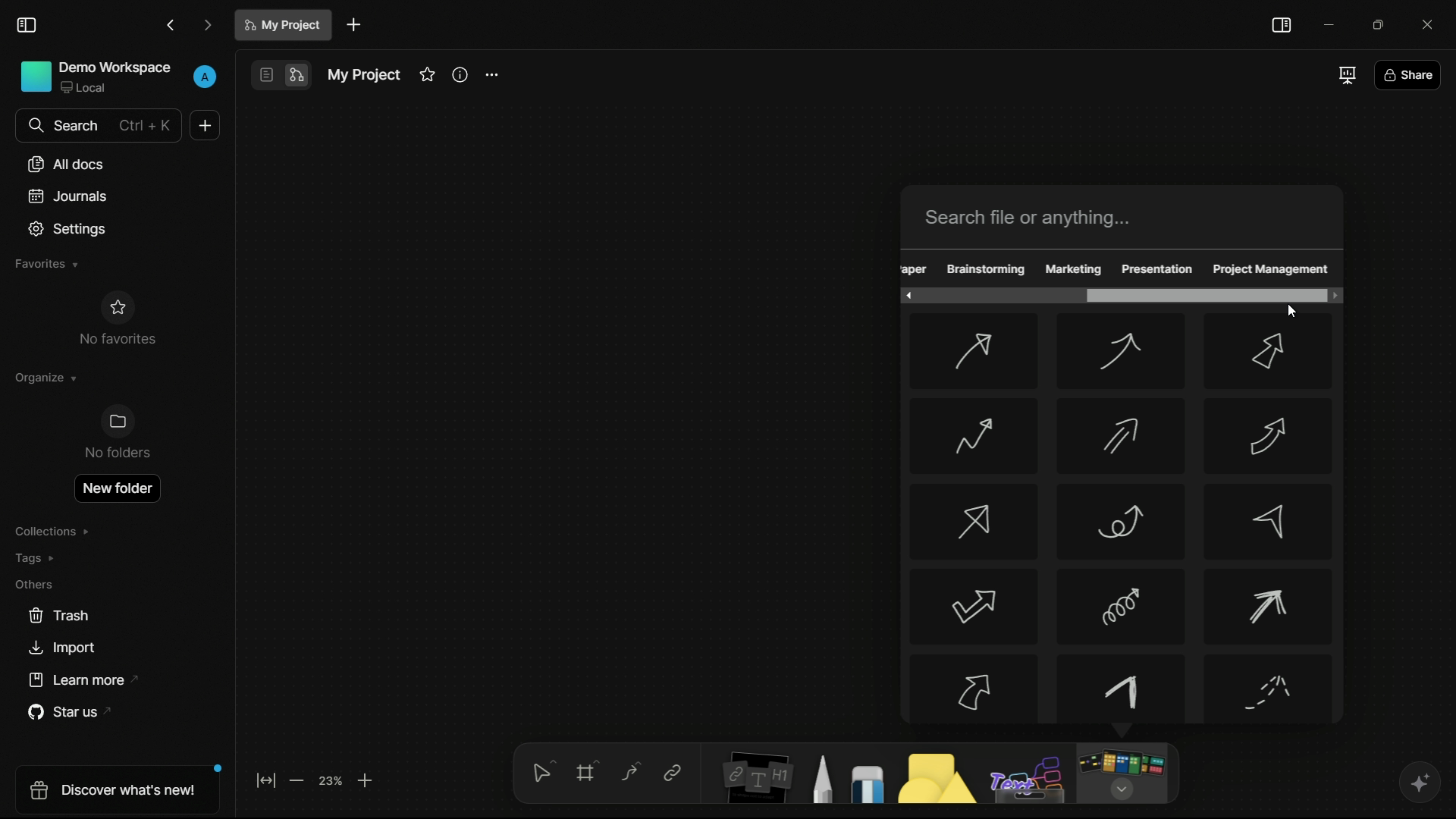 This screenshot has height=819, width=1456. Describe the element at coordinates (331, 780) in the screenshot. I see `zoom factor` at that location.